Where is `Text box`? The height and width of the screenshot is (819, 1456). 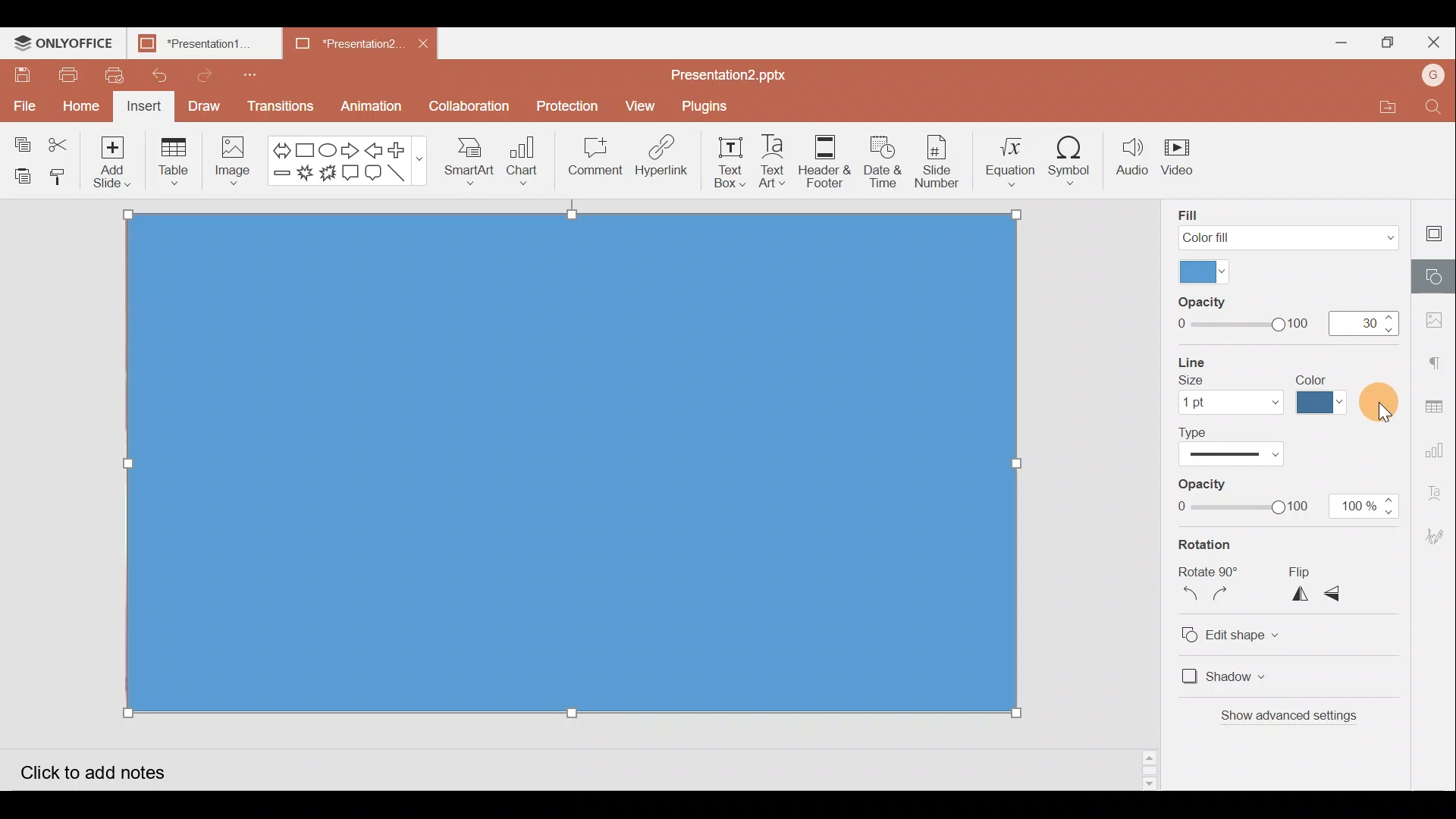 Text box is located at coordinates (722, 165).